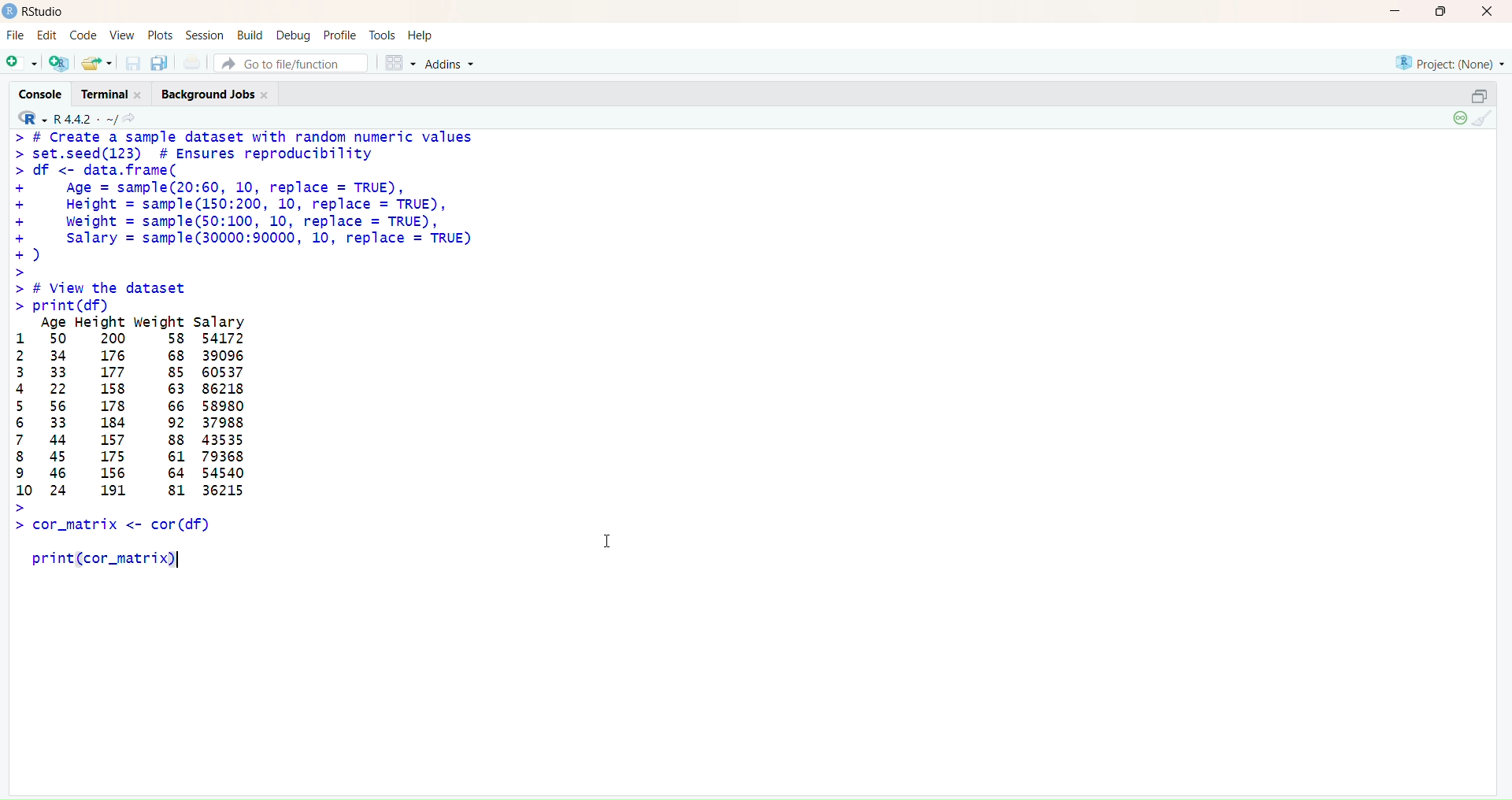 The width and height of the screenshot is (1512, 800). What do you see at coordinates (95, 62) in the screenshot?
I see `Open an existing file (Ctrl + O)` at bounding box center [95, 62].